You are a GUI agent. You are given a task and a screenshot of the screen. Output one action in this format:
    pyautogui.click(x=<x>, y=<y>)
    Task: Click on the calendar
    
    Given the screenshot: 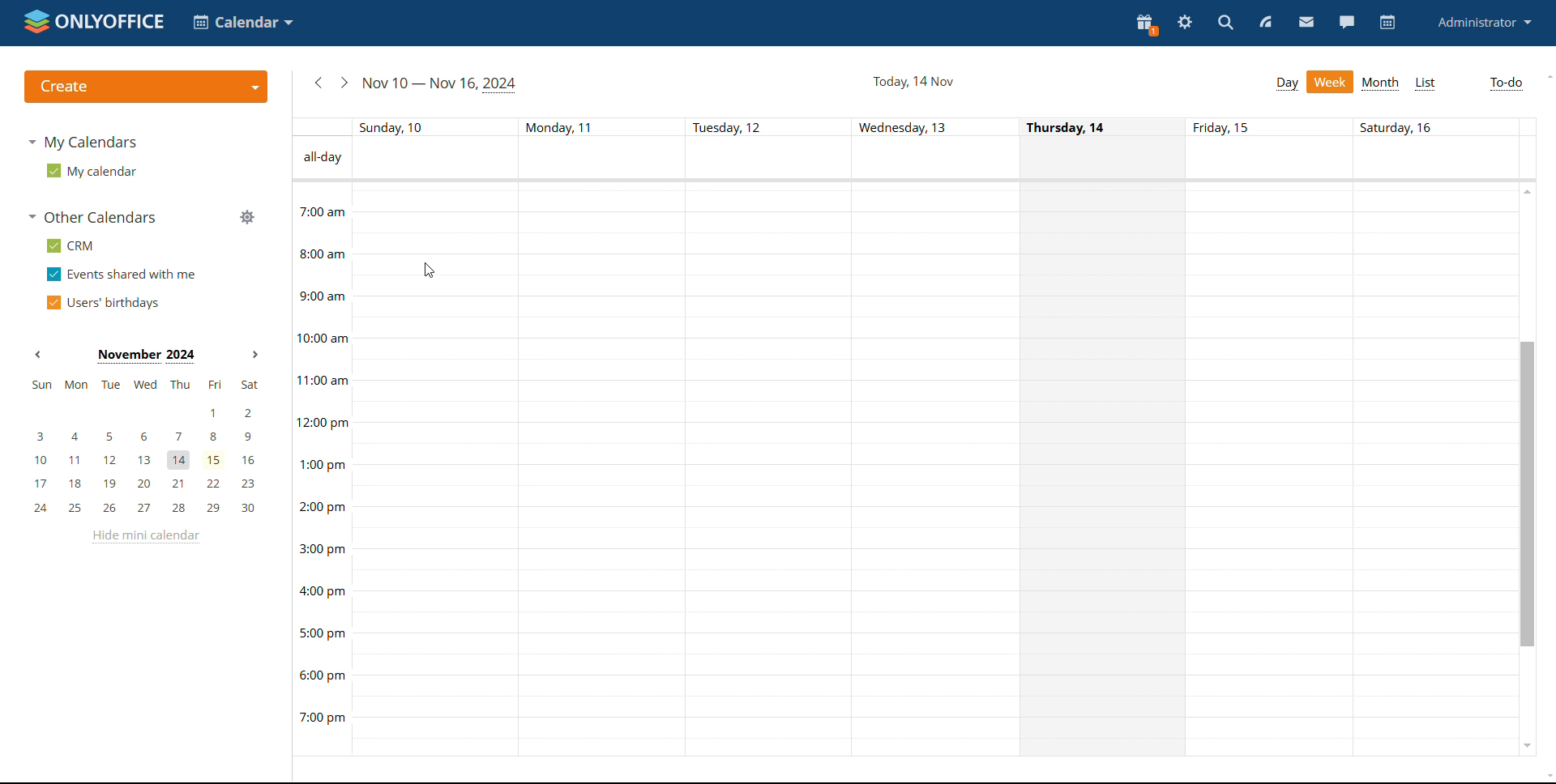 What is the action you would take?
    pyautogui.click(x=1387, y=23)
    